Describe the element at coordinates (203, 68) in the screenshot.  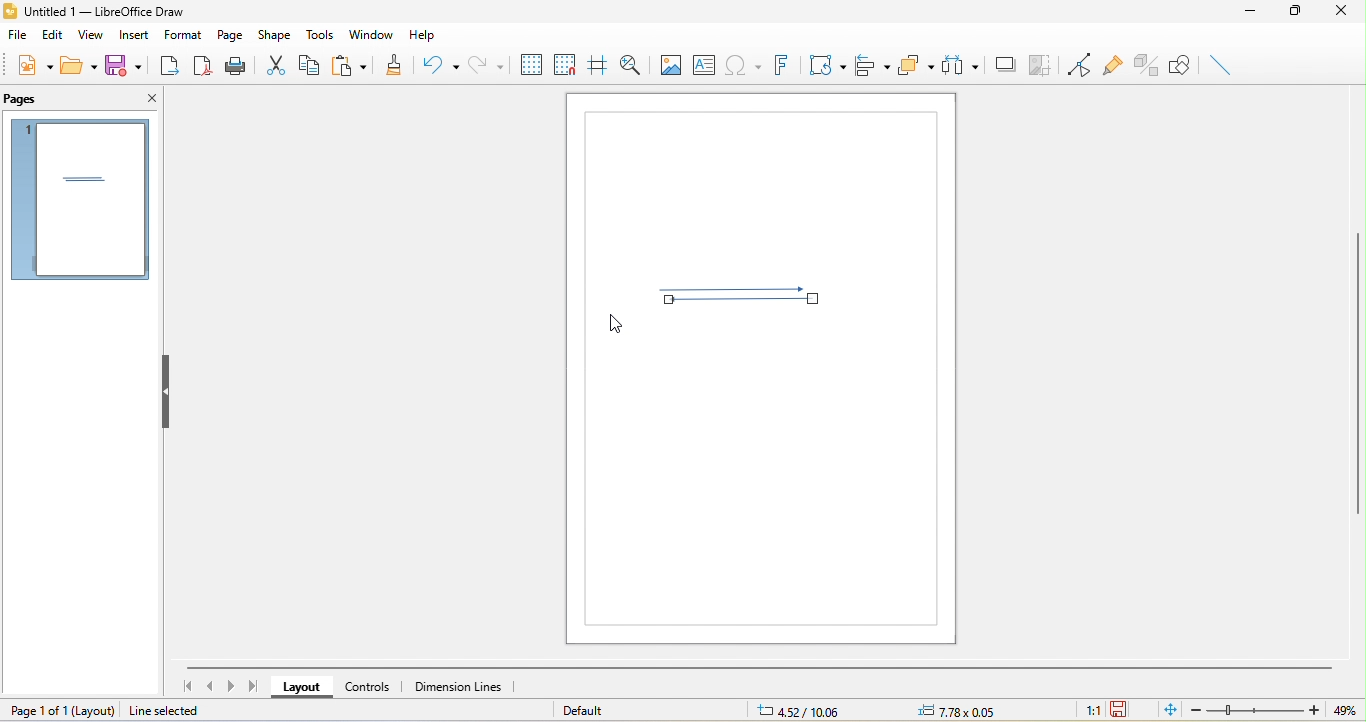
I see `export directly a pdf` at that location.